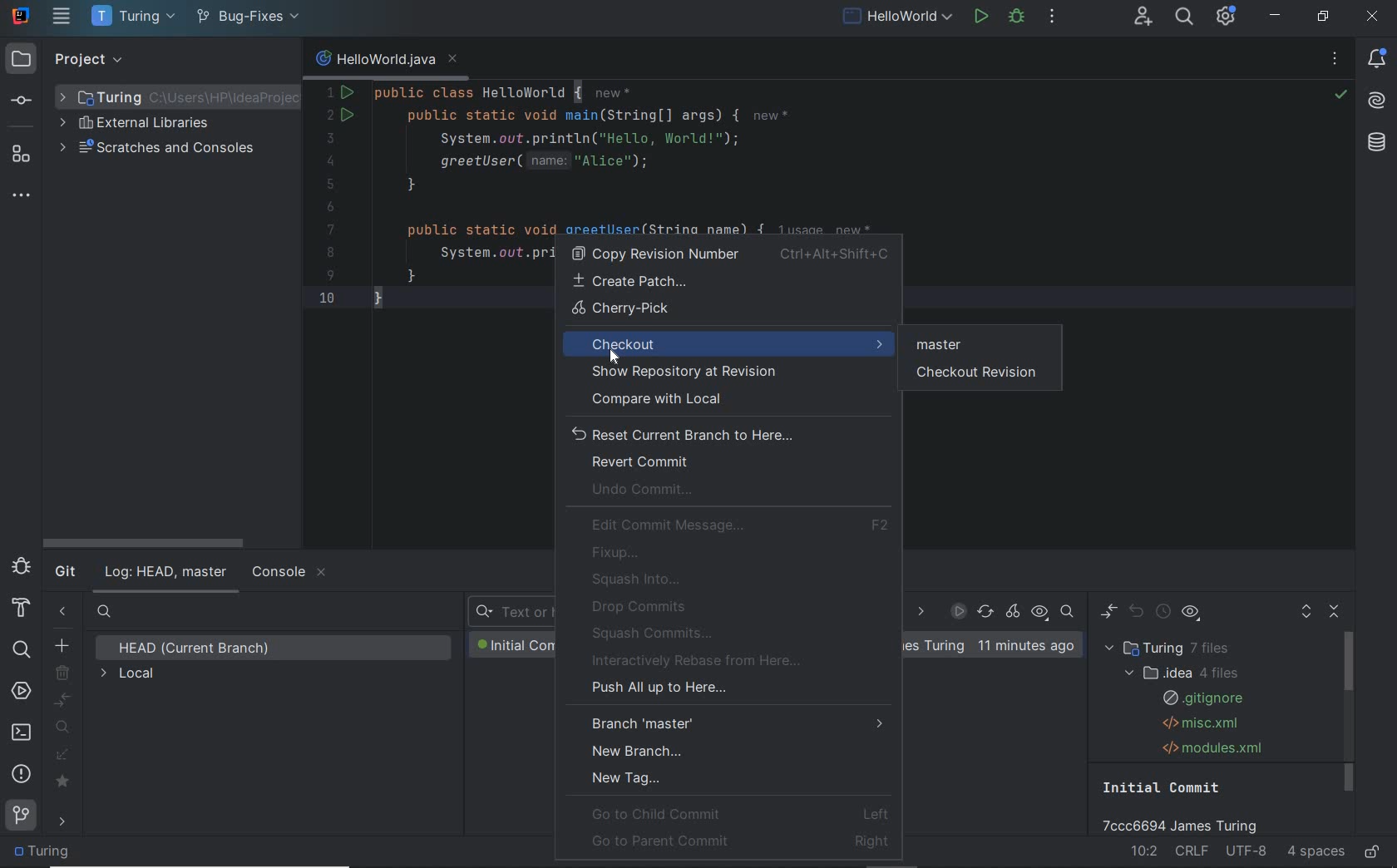 The height and width of the screenshot is (868, 1397). I want to click on fetch all remotes, so click(64, 757).